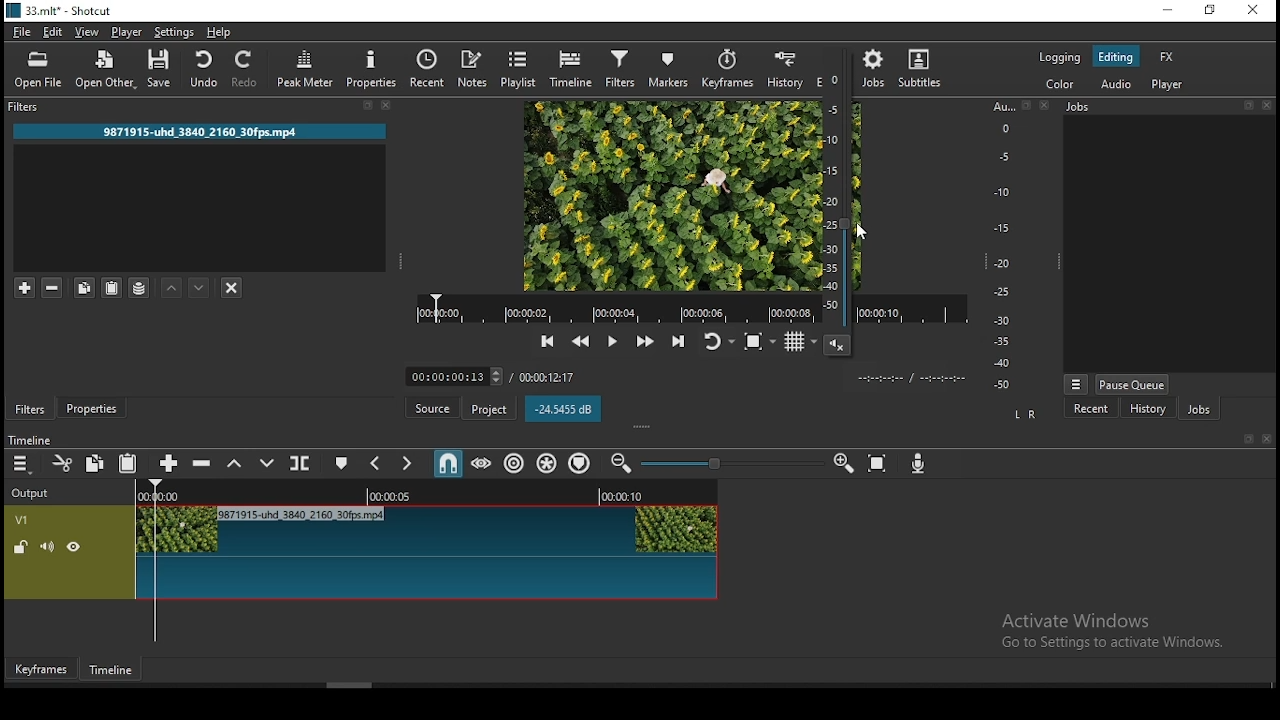 This screenshot has height=720, width=1280. I want to click on settings, so click(172, 32).